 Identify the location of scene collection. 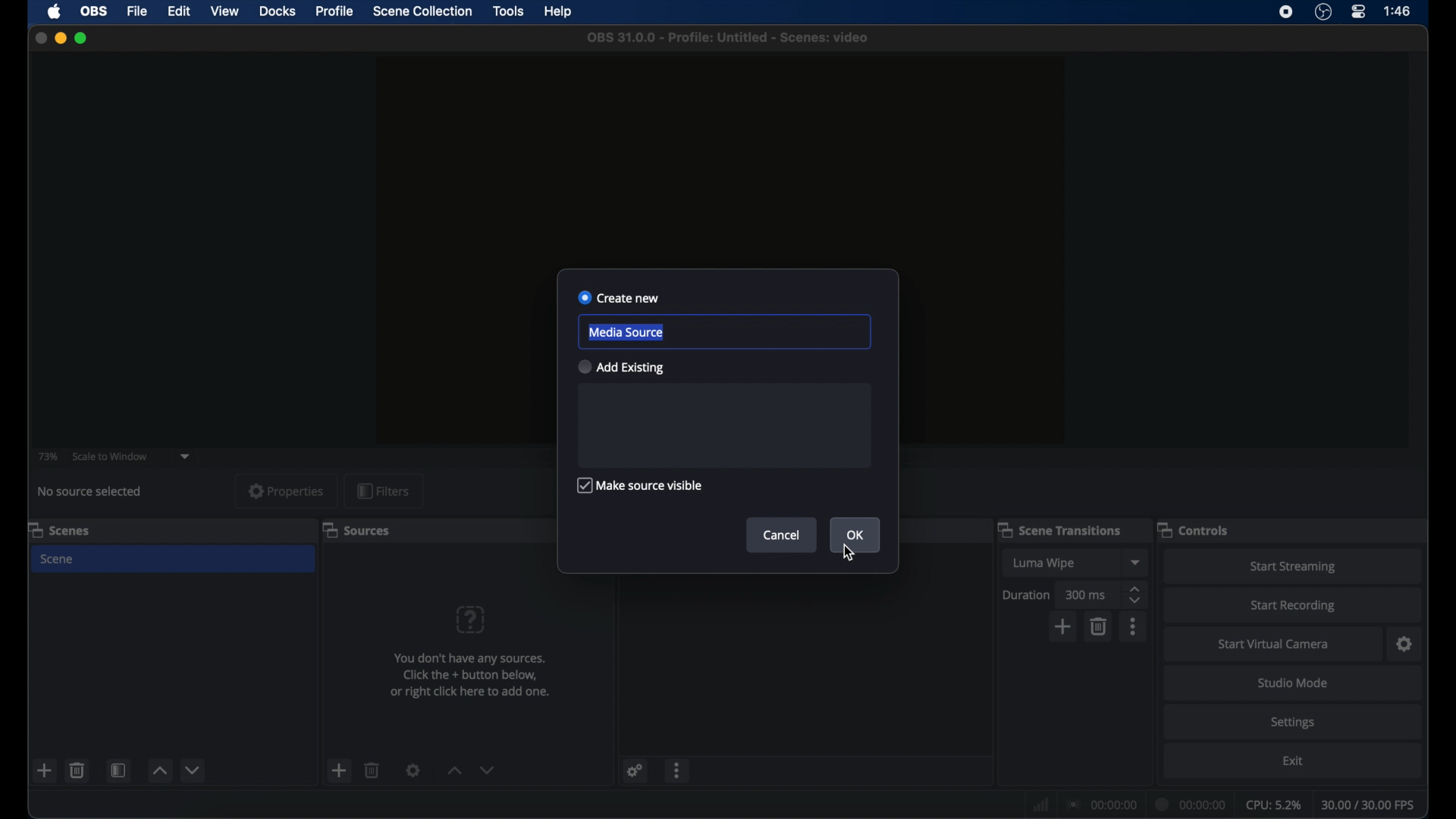
(424, 11).